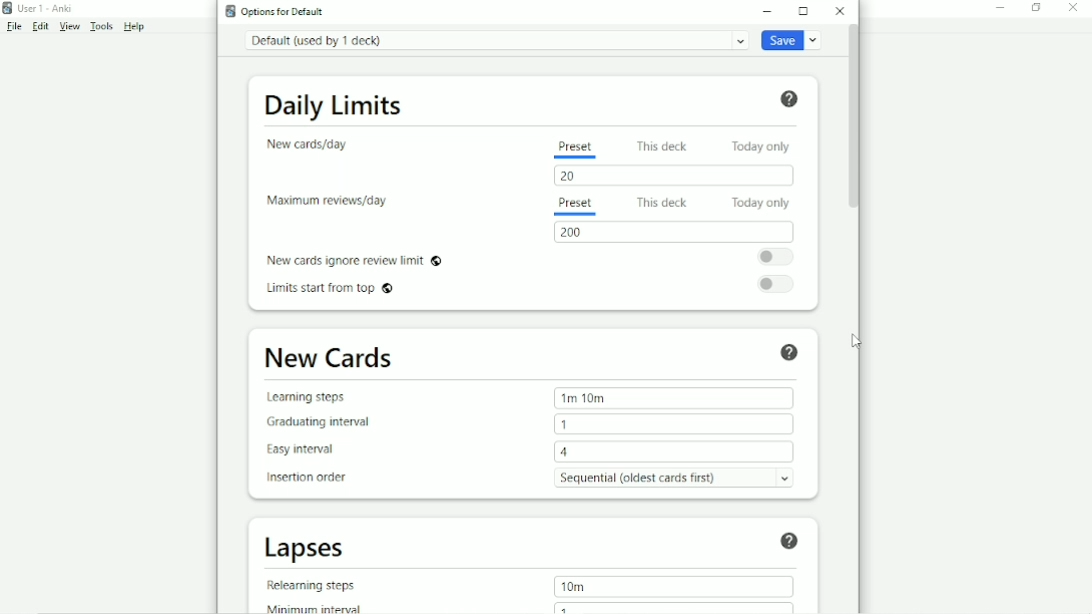  Describe the element at coordinates (763, 146) in the screenshot. I see `Today only` at that location.